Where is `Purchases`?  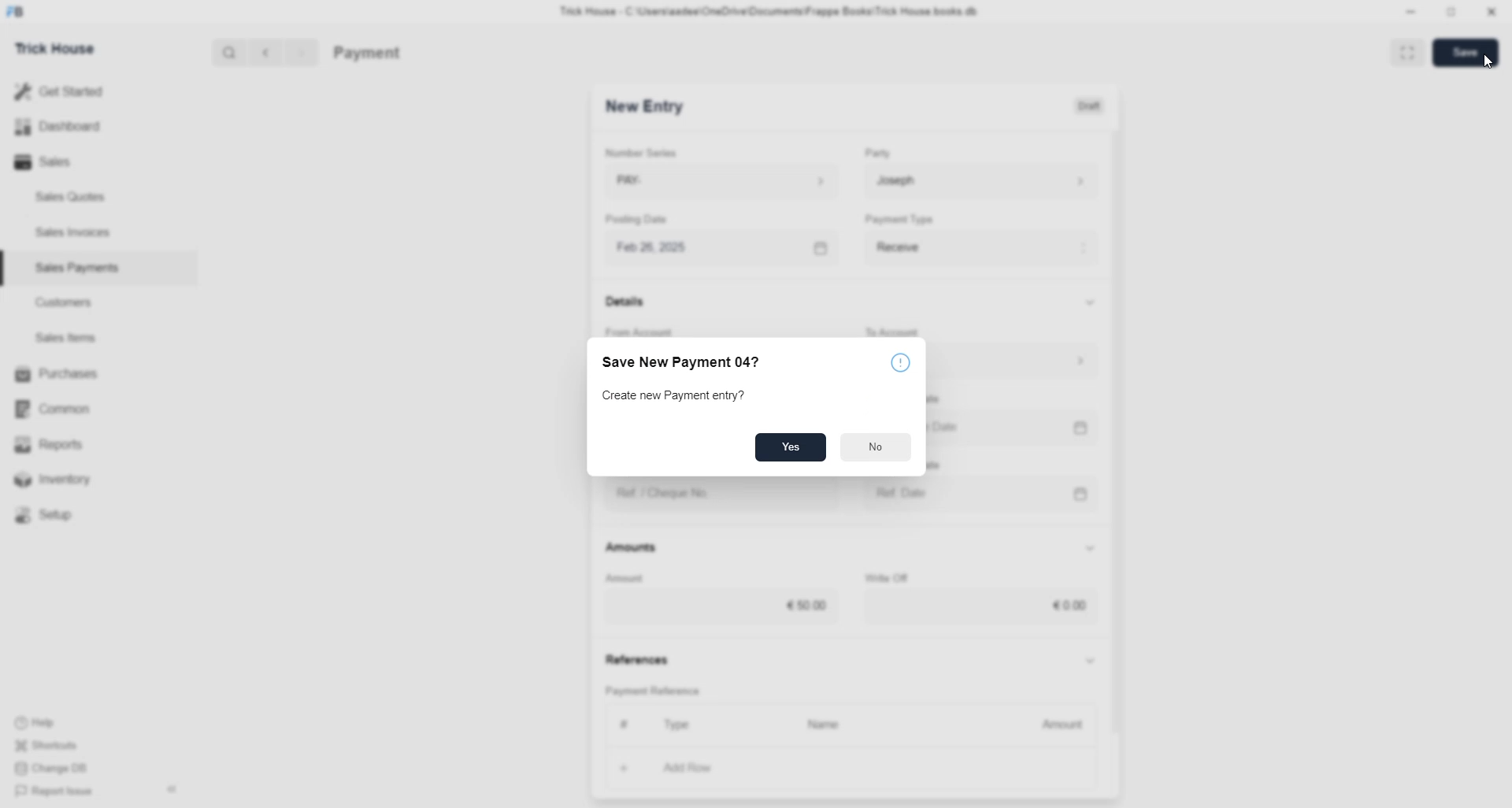
Purchases is located at coordinates (60, 374).